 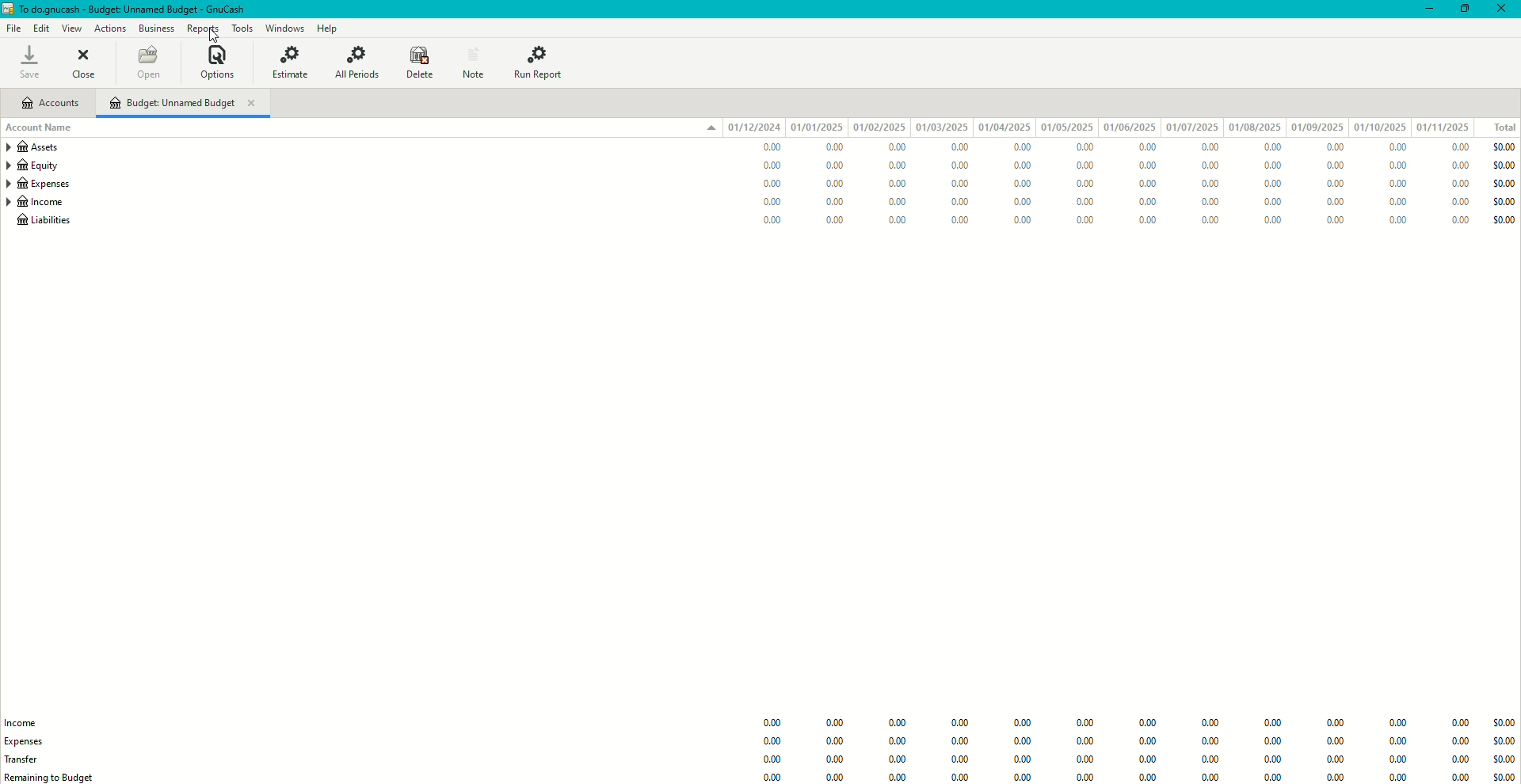 What do you see at coordinates (42, 29) in the screenshot?
I see `Edit` at bounding box center [42, 29].